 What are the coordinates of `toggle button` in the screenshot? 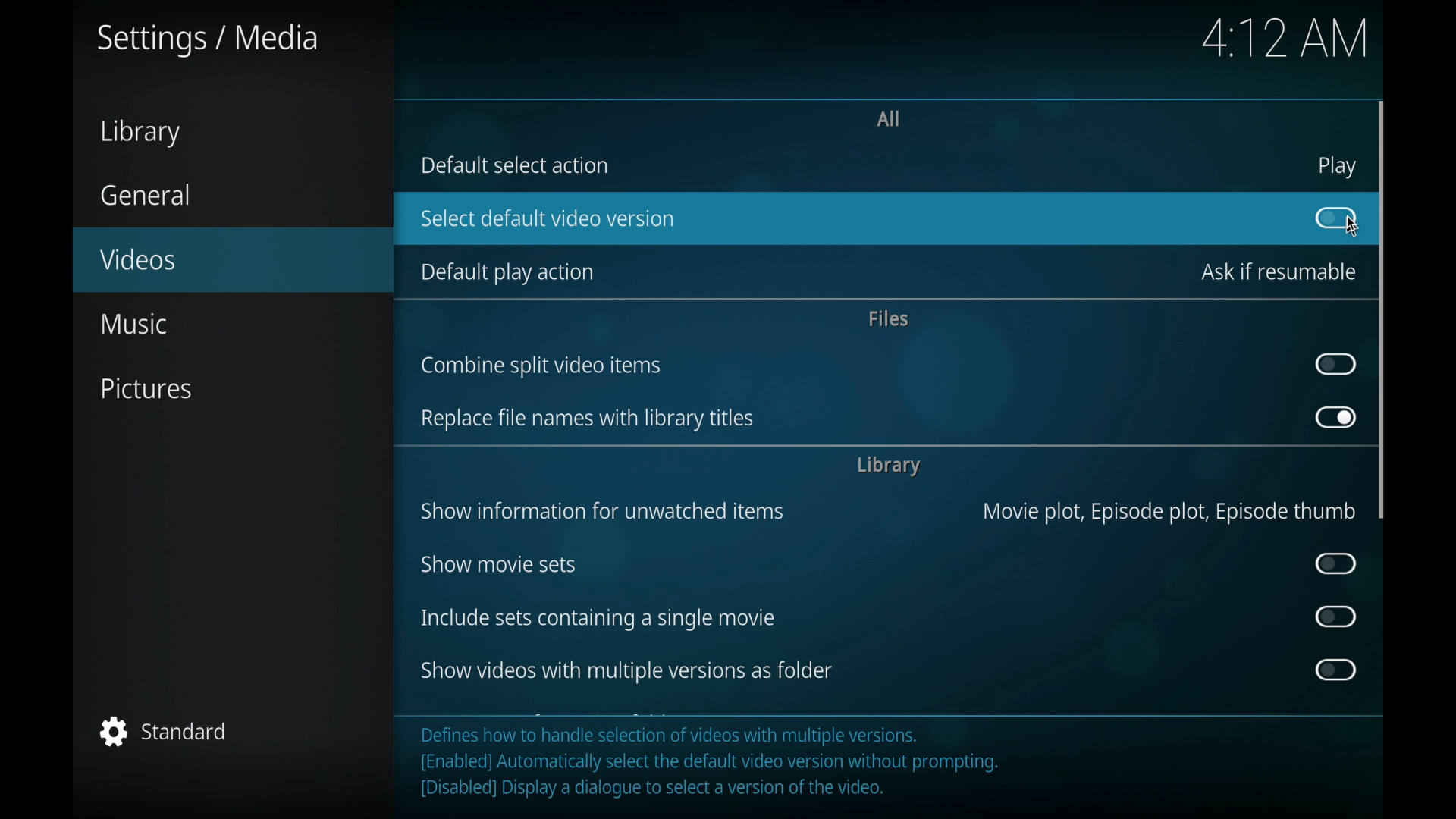 It's located at (1336, 418).